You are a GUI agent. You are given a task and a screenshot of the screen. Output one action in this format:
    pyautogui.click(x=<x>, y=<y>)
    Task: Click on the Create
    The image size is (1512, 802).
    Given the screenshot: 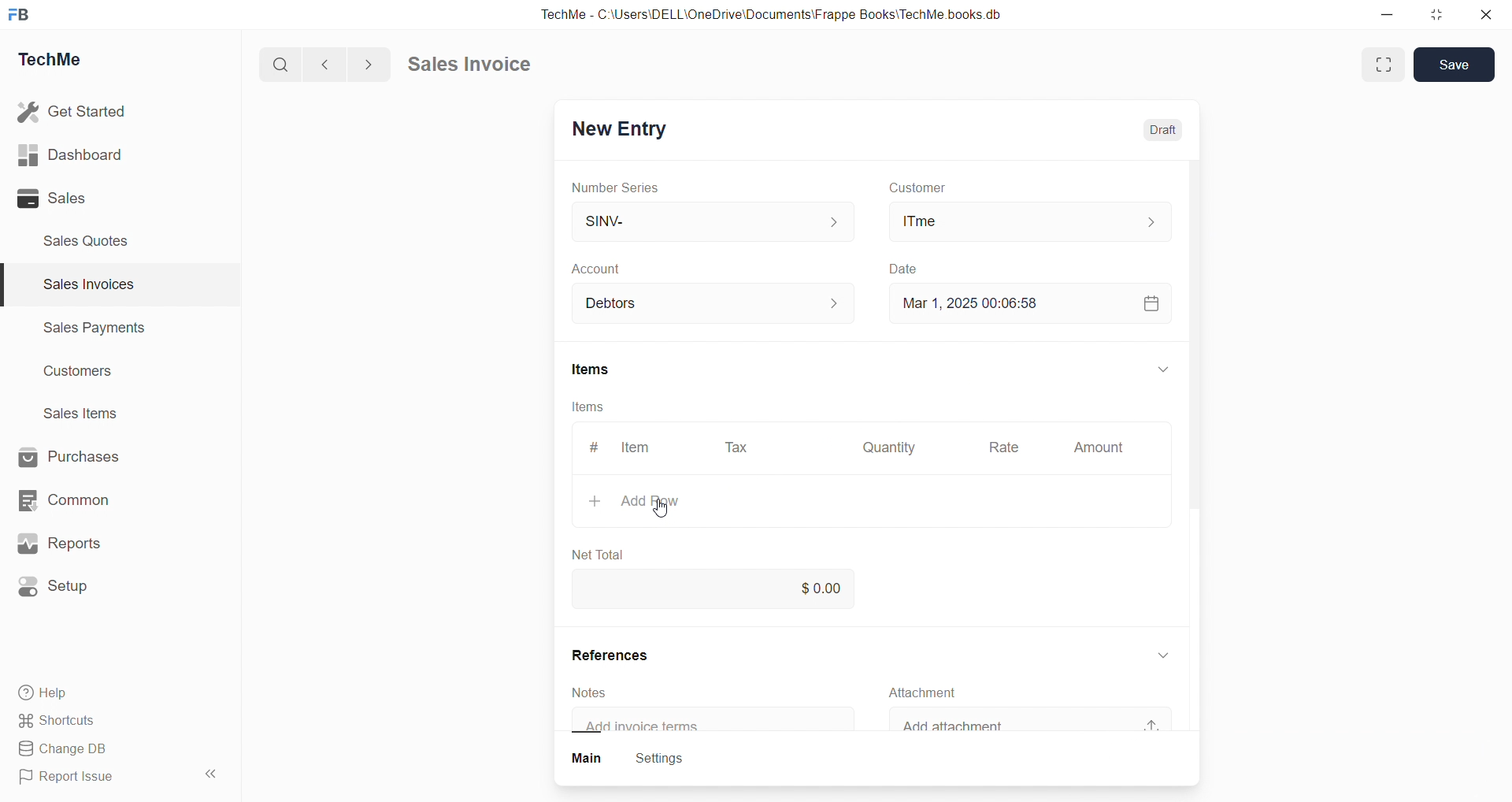 What is the action you would take?
    pyautogui.click(x=899, y=266)
    